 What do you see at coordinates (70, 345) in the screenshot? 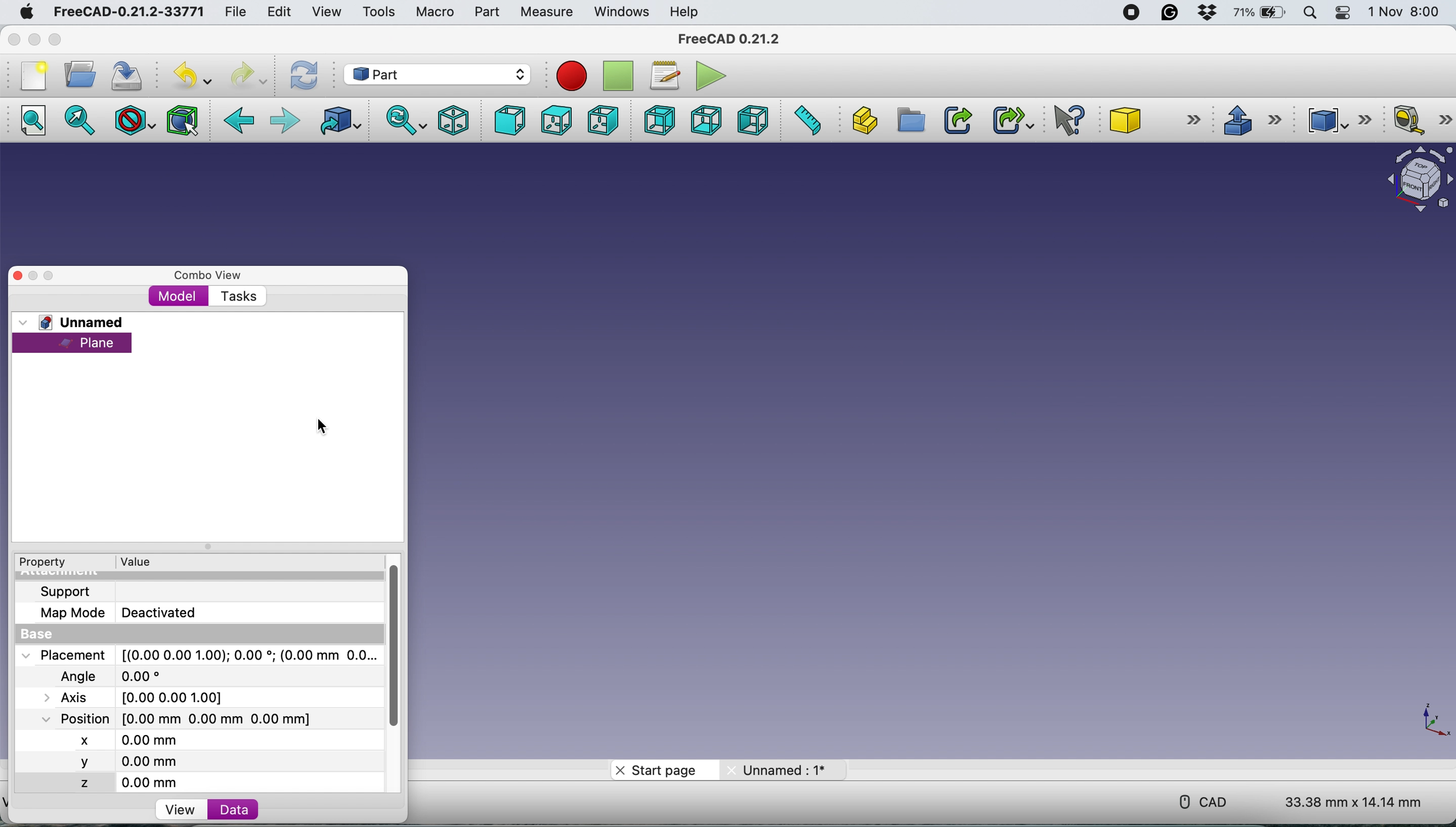
I see `plane selected` at bounding box center [70, 345].